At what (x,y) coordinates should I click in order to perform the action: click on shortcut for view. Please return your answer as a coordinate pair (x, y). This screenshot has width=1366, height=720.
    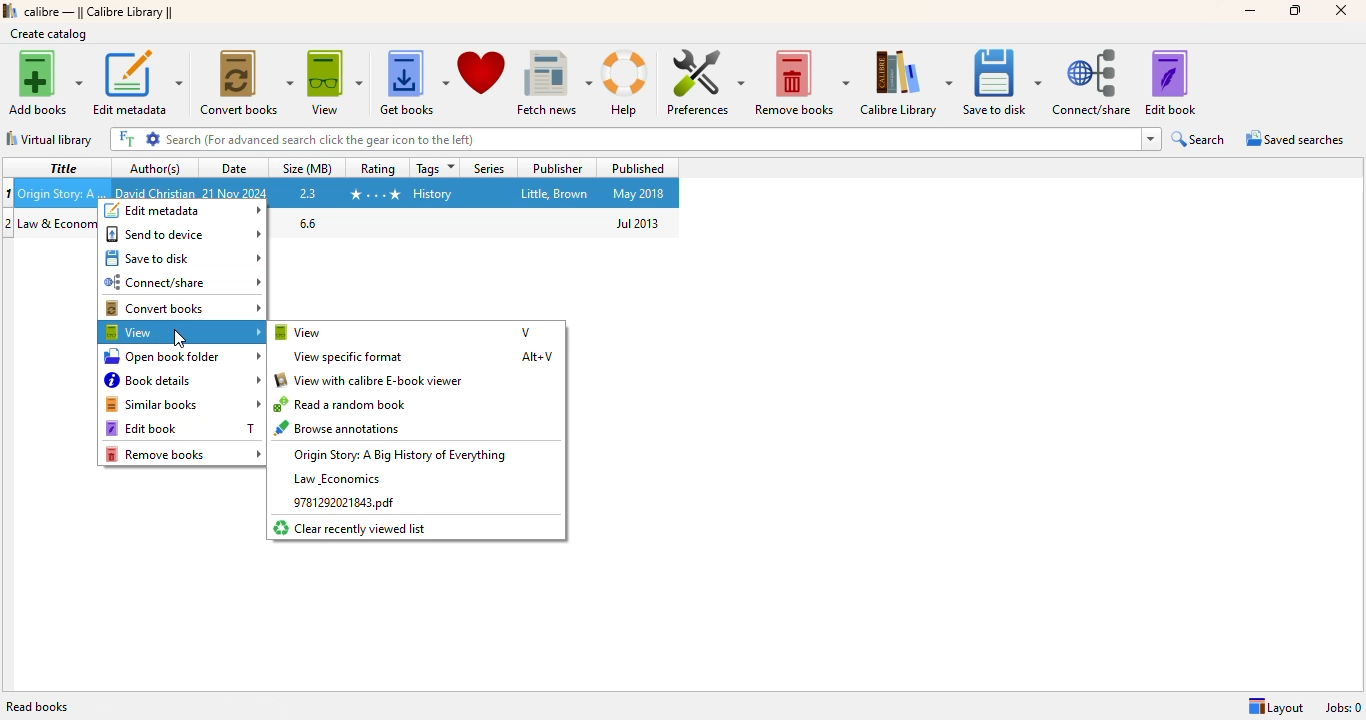
    Looking at the image, I should click on (526, 331).